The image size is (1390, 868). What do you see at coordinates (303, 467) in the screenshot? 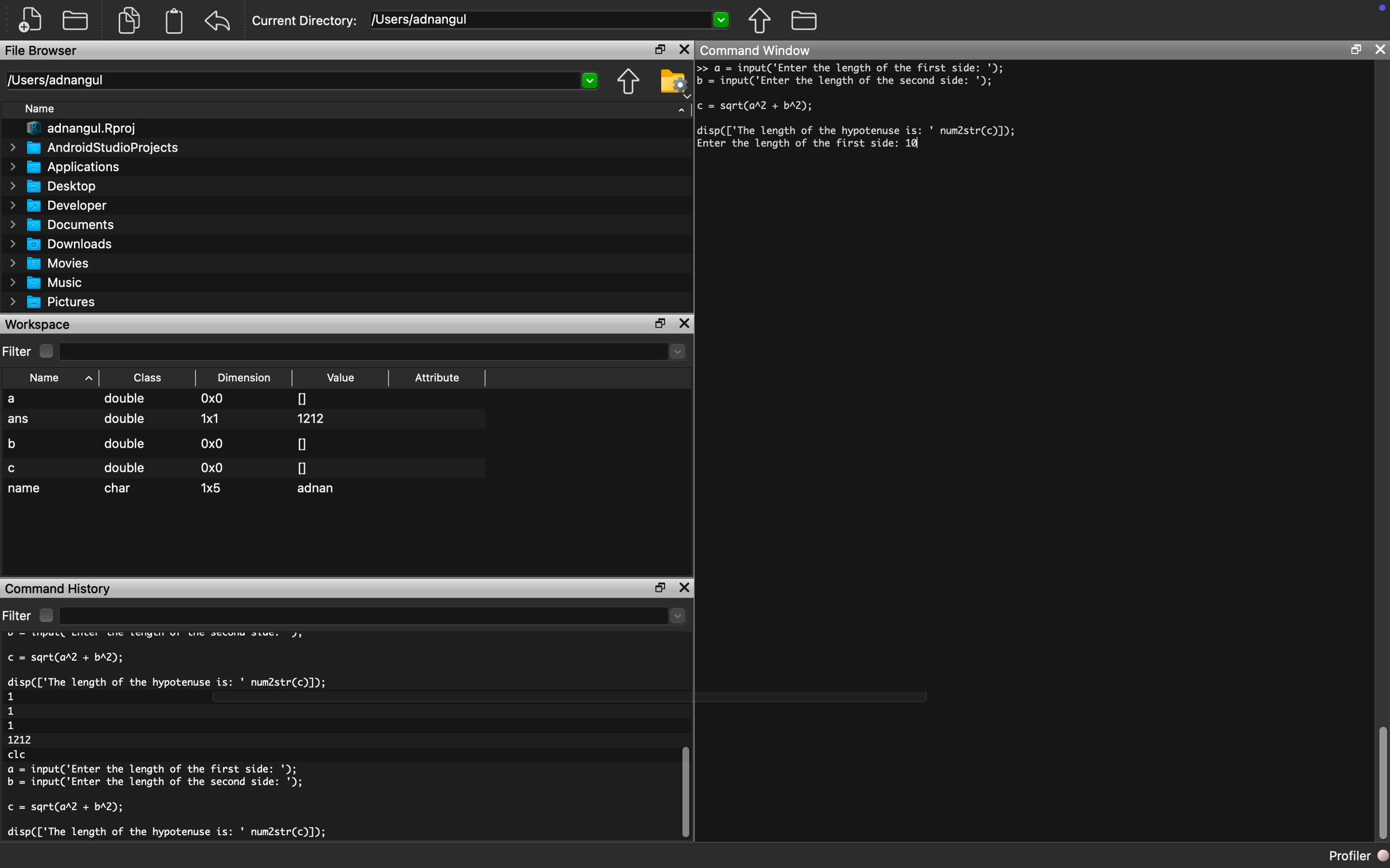
I see `0` at bounding box center [303, 467].